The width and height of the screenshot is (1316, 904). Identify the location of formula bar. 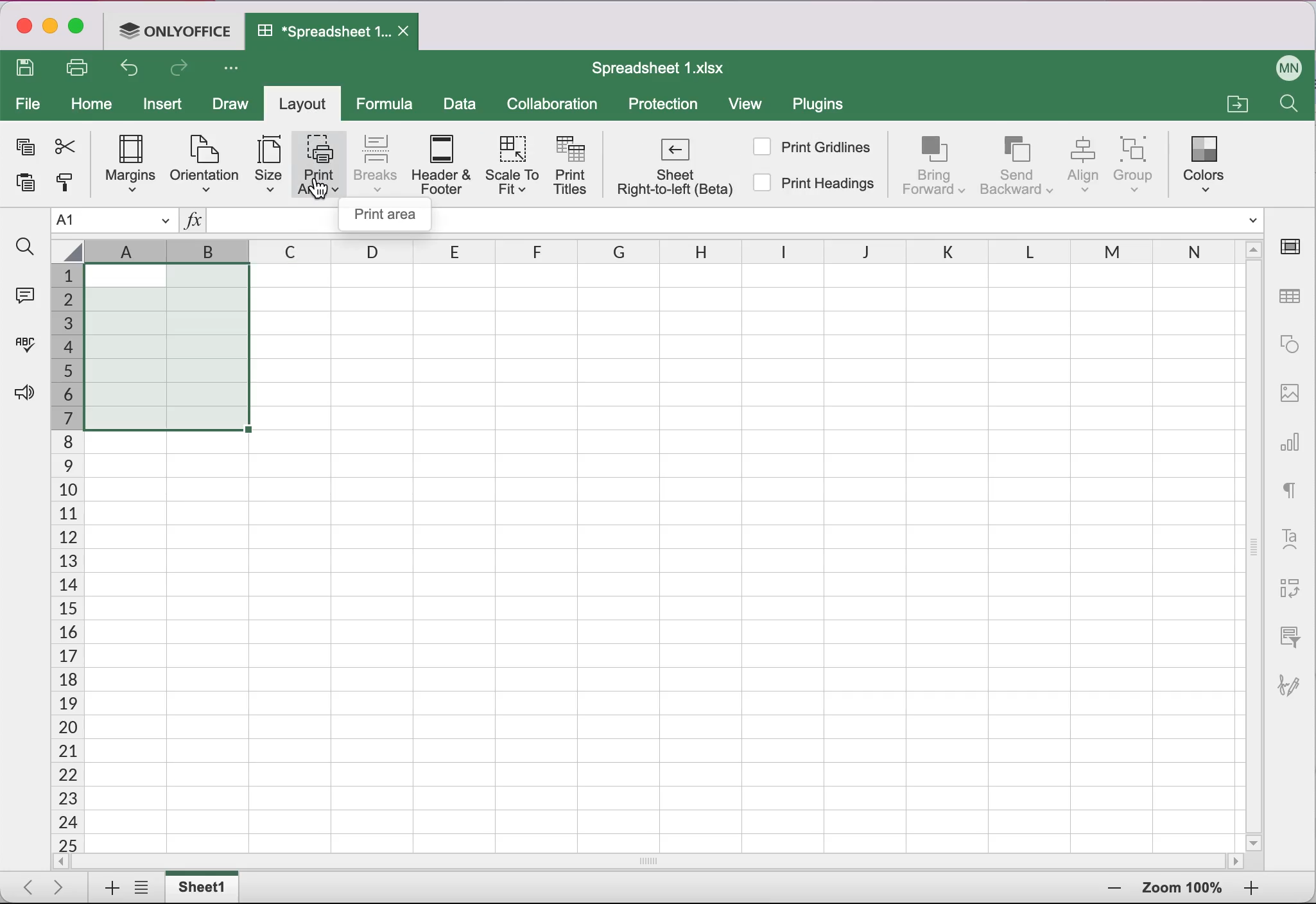
(851, 222).